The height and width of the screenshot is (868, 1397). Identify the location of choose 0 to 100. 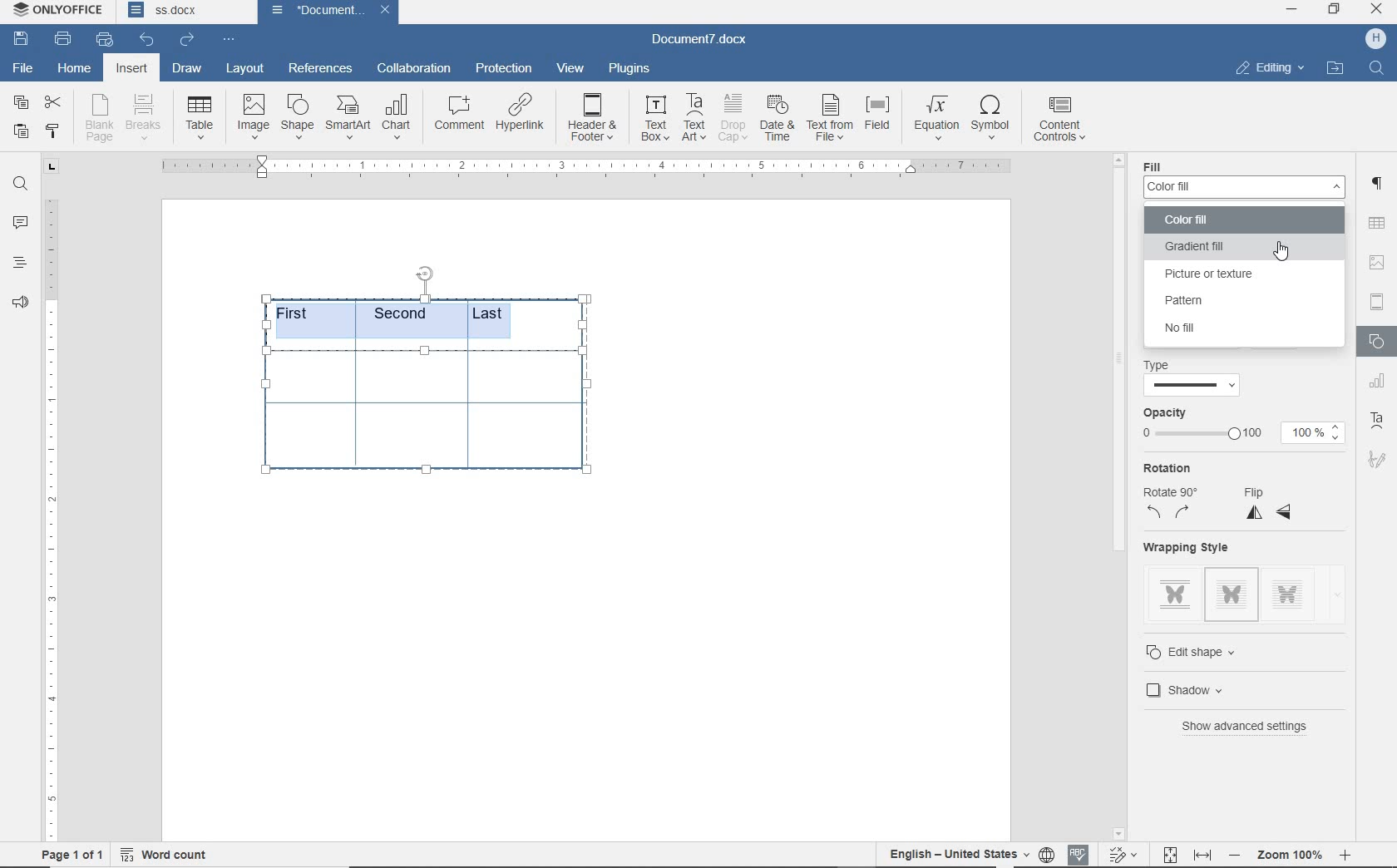
(1205, 435).